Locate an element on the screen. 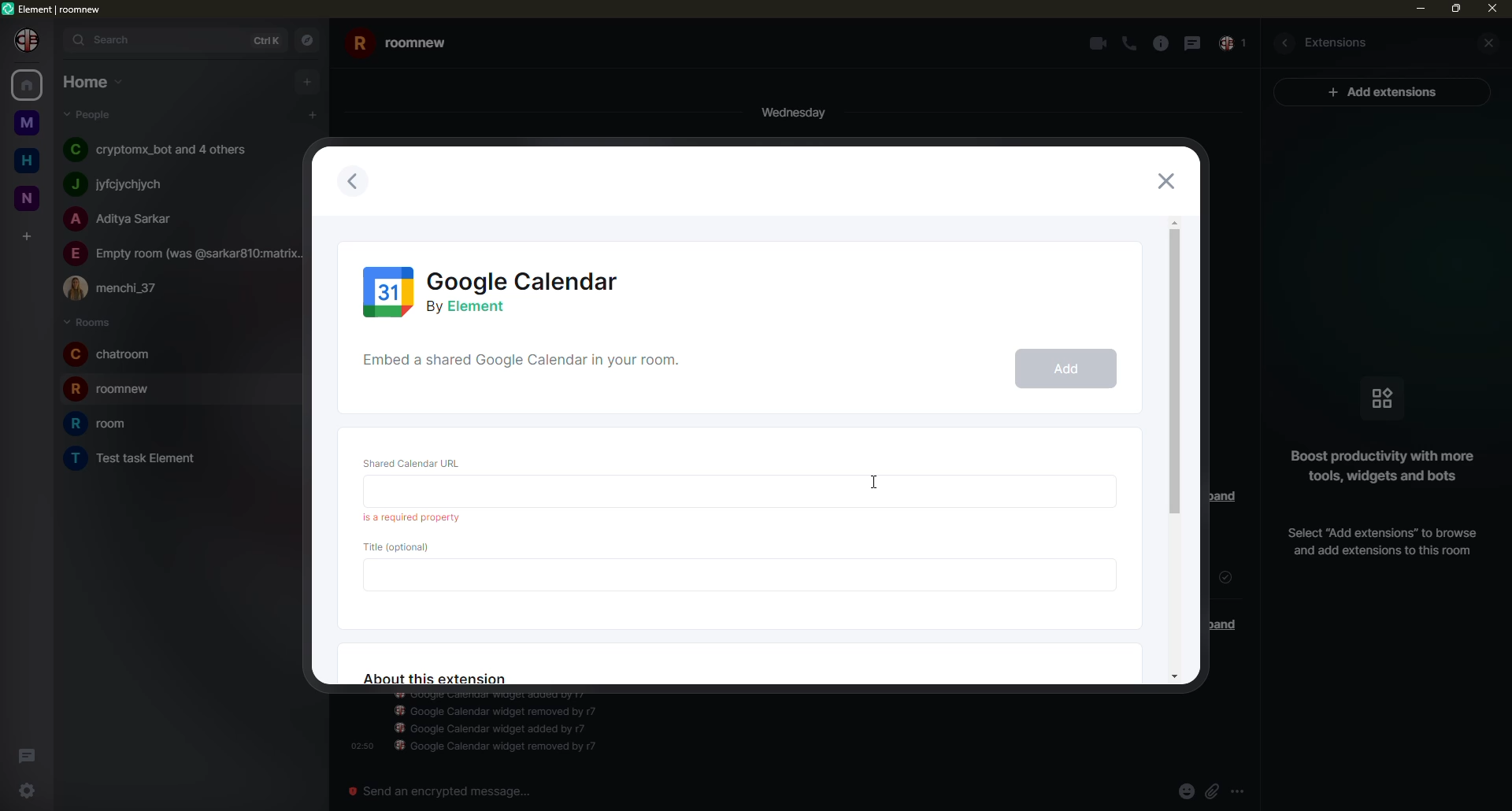 This screenshot has height=811, width=1512. search is located at coordinates (106, 42).